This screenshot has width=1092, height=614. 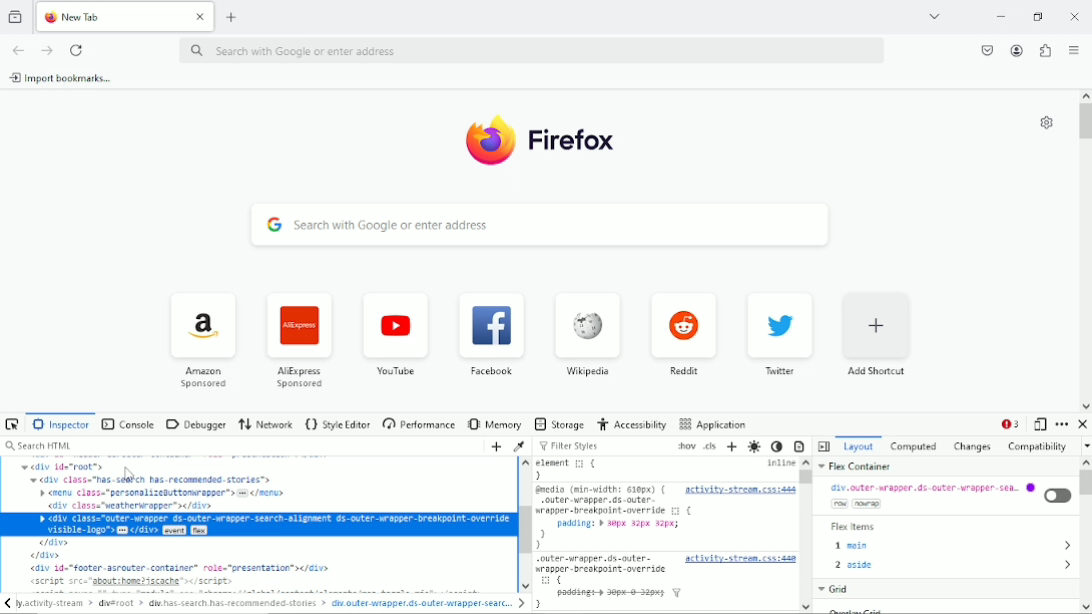 I want to click on Warnings, so click(x=1011, y=423).